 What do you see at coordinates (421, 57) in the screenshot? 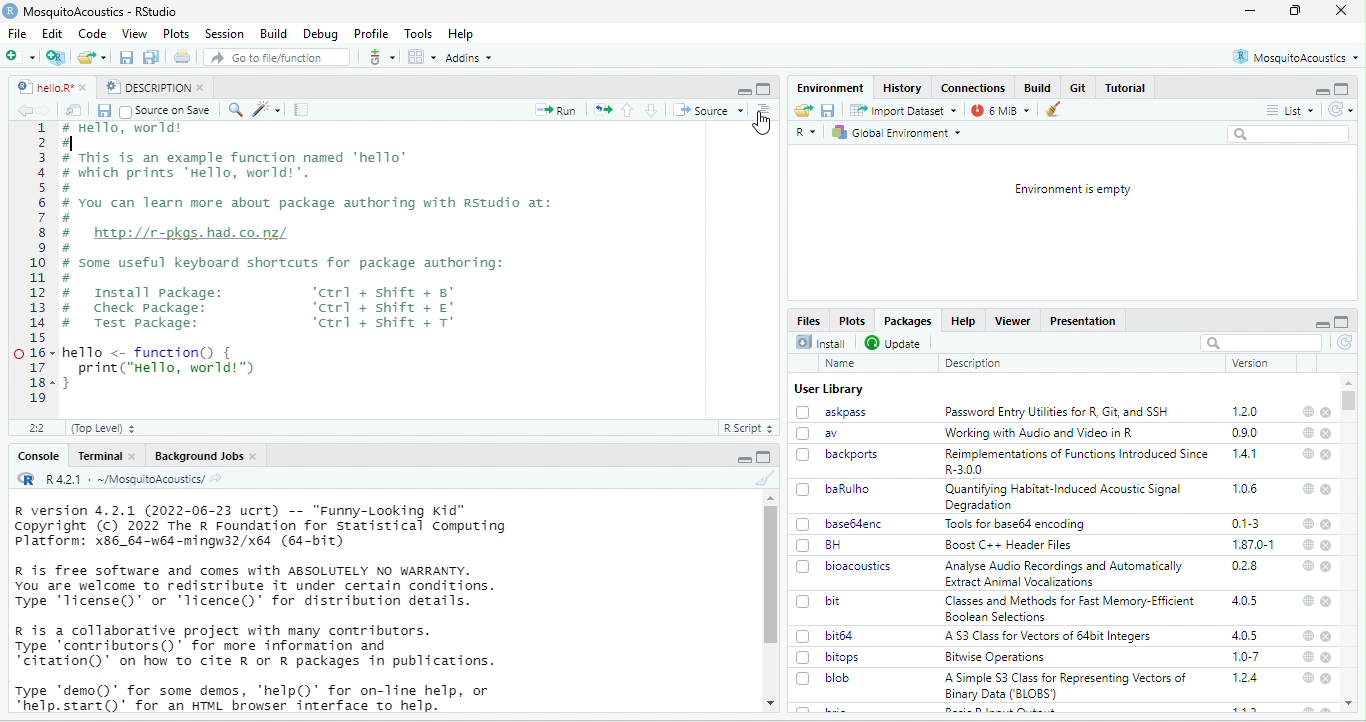
I see `workspace panes` at bounding box center [421, 57].